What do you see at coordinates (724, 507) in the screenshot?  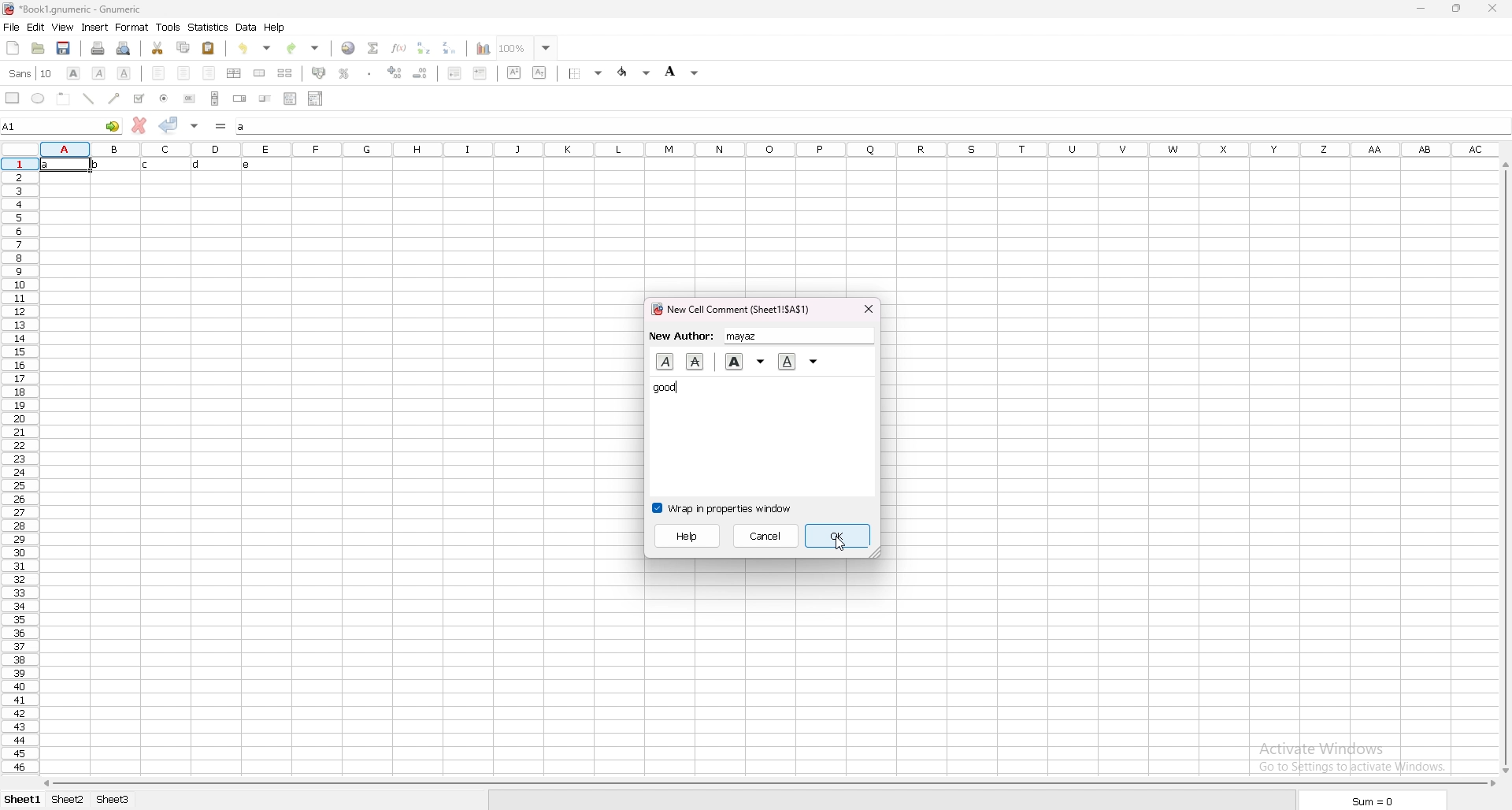 I see `wrap in properties window` at bounding box center [724, 507].